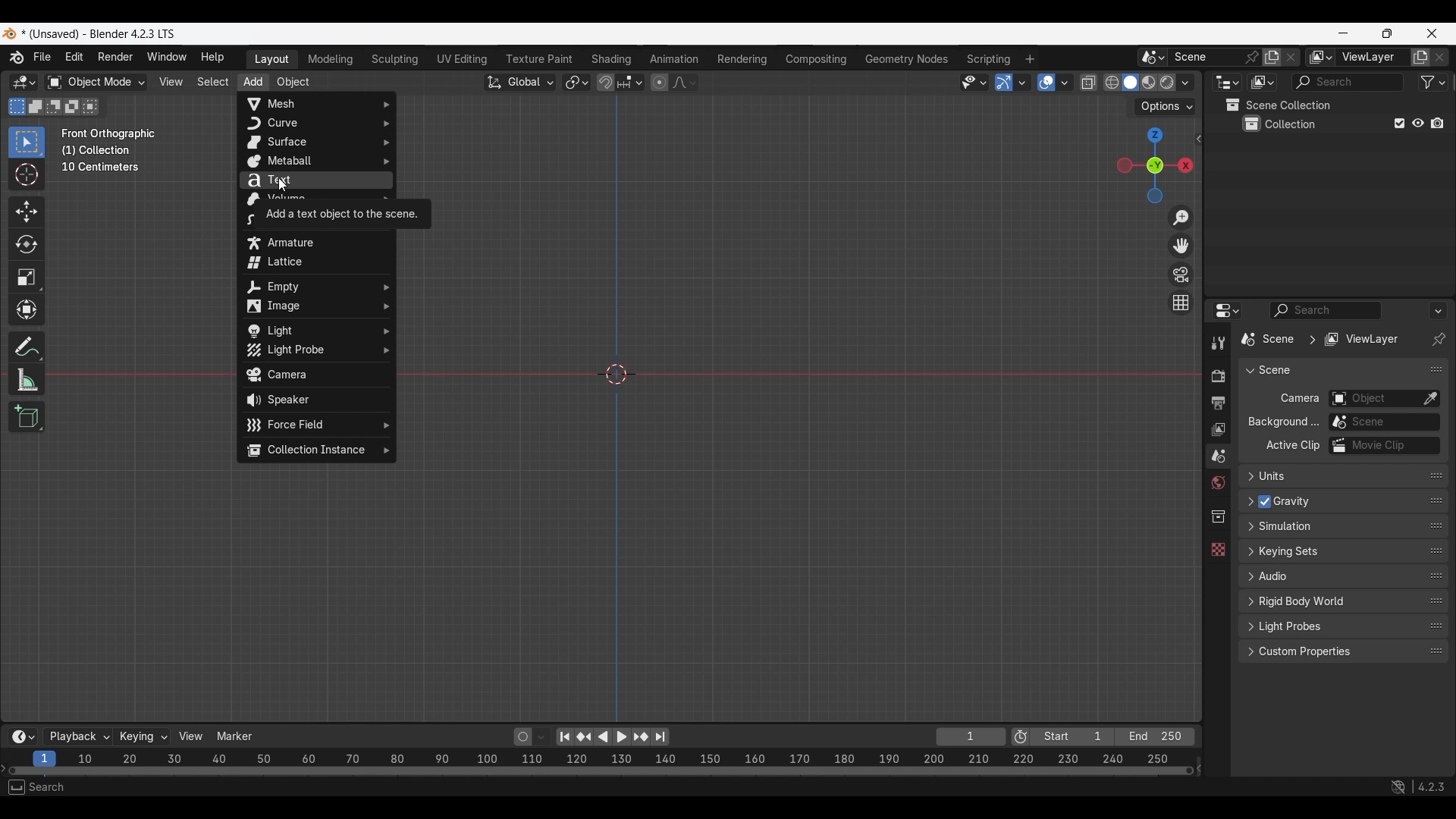  Describe the element at coordinates (27, 417) in the screenshot. I see `Add cube` at that location.